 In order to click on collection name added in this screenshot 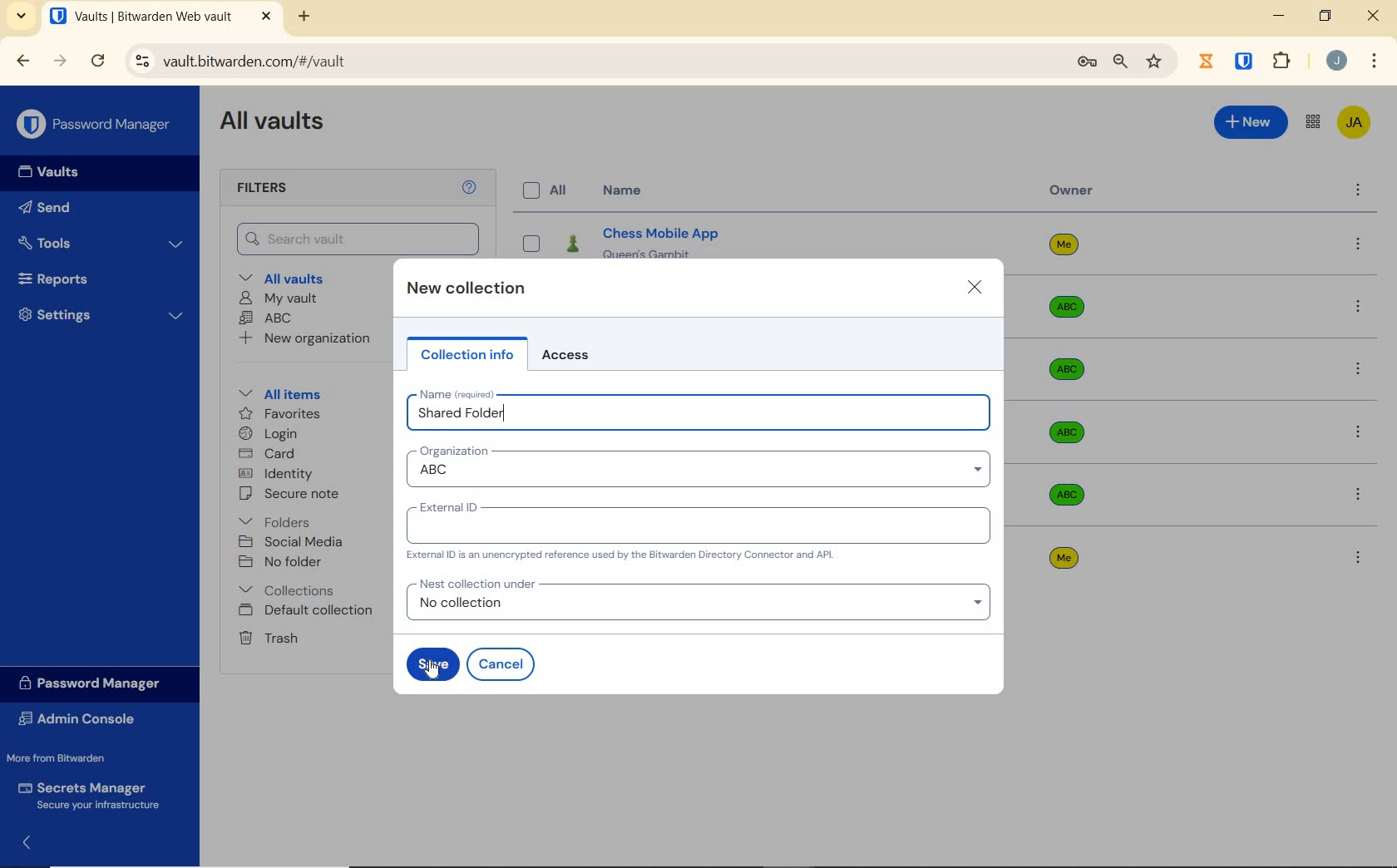, I will do `click(465, 413)`.